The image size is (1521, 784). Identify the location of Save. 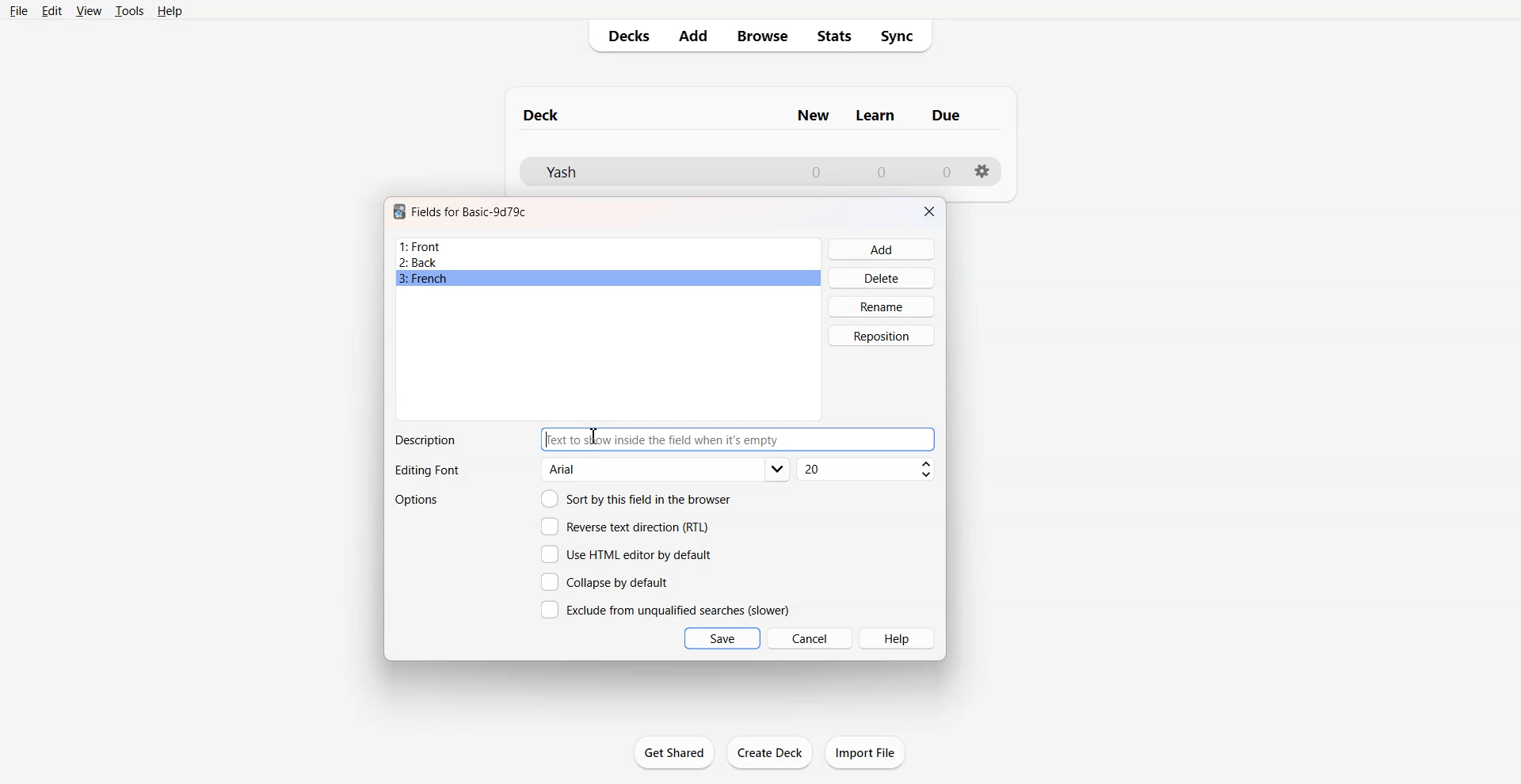
(722, 638).